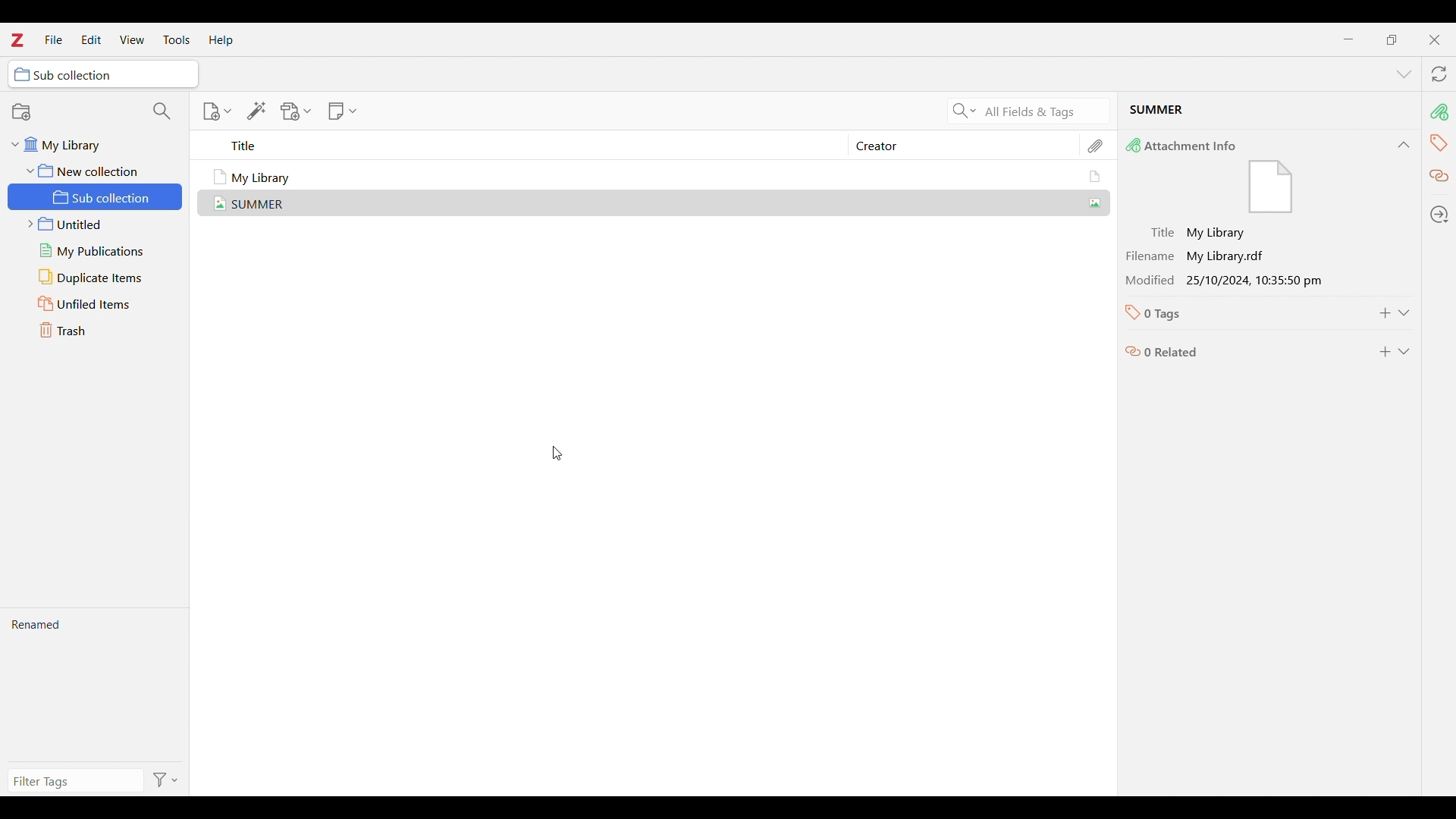 Image resolution: width=1456 pixels, height=819 pixels. What do you see at coordinates (1442, 111) in the screenshot?
I see `Attachment info` at bounding box center [1442, 111].